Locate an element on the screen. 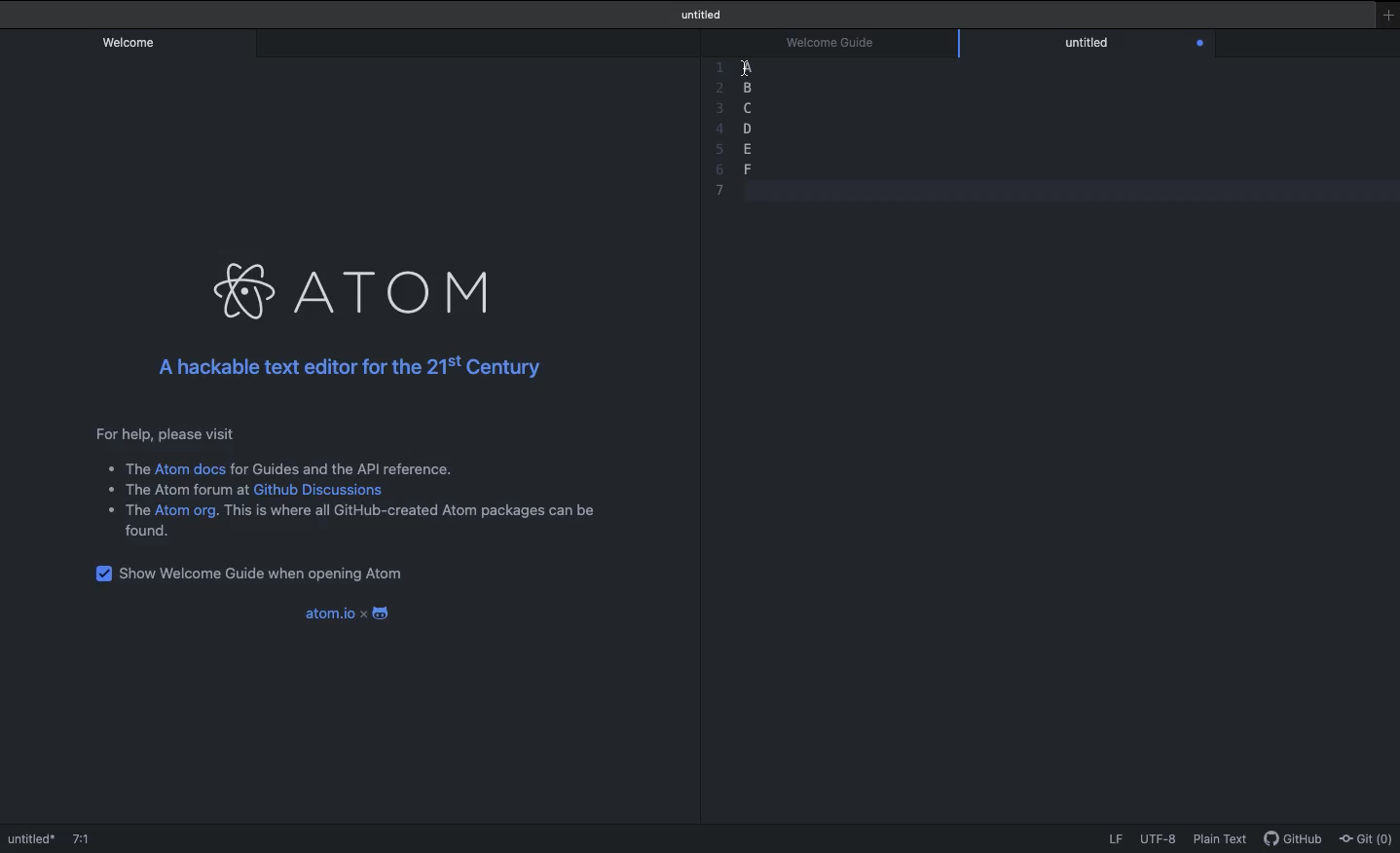 Image resolution: width=1400 pixels, height=853 pixels. 3 is located at coordinates (718, 108).